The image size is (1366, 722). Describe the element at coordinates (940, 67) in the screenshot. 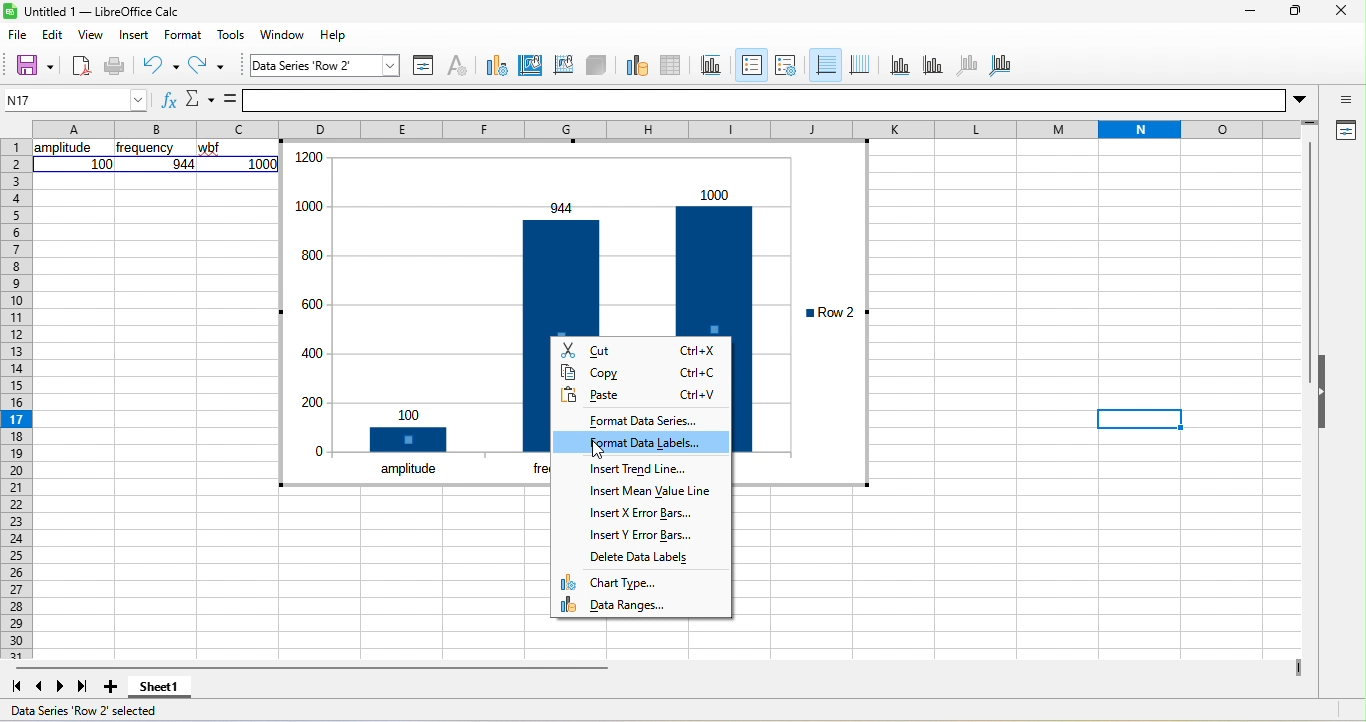

I see `y axis` at that location.